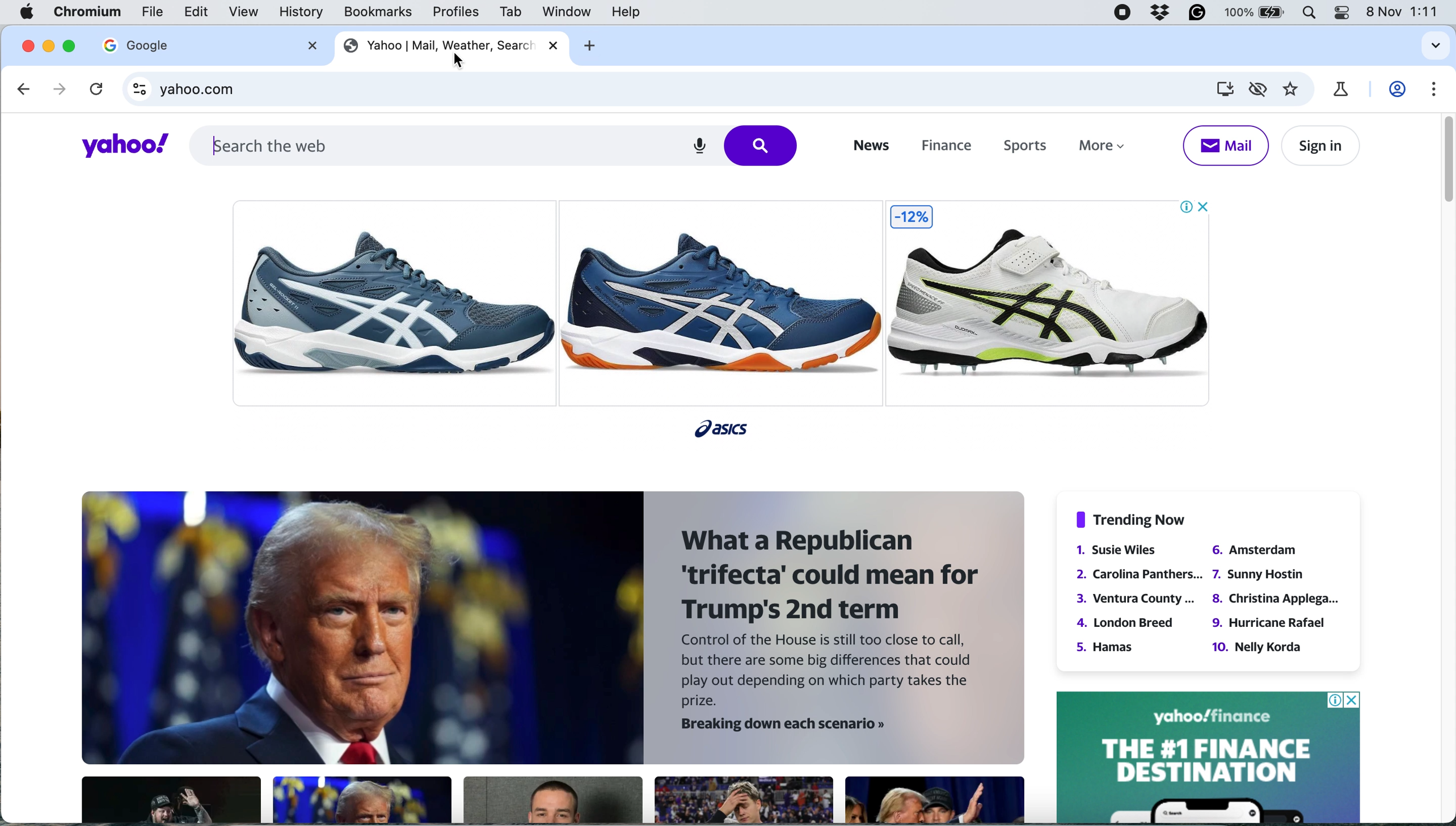 This screenshot has height=826, width=1456. Describe the element at coordinates (94, 91) in the screenshot. I see `refresh` at that location.